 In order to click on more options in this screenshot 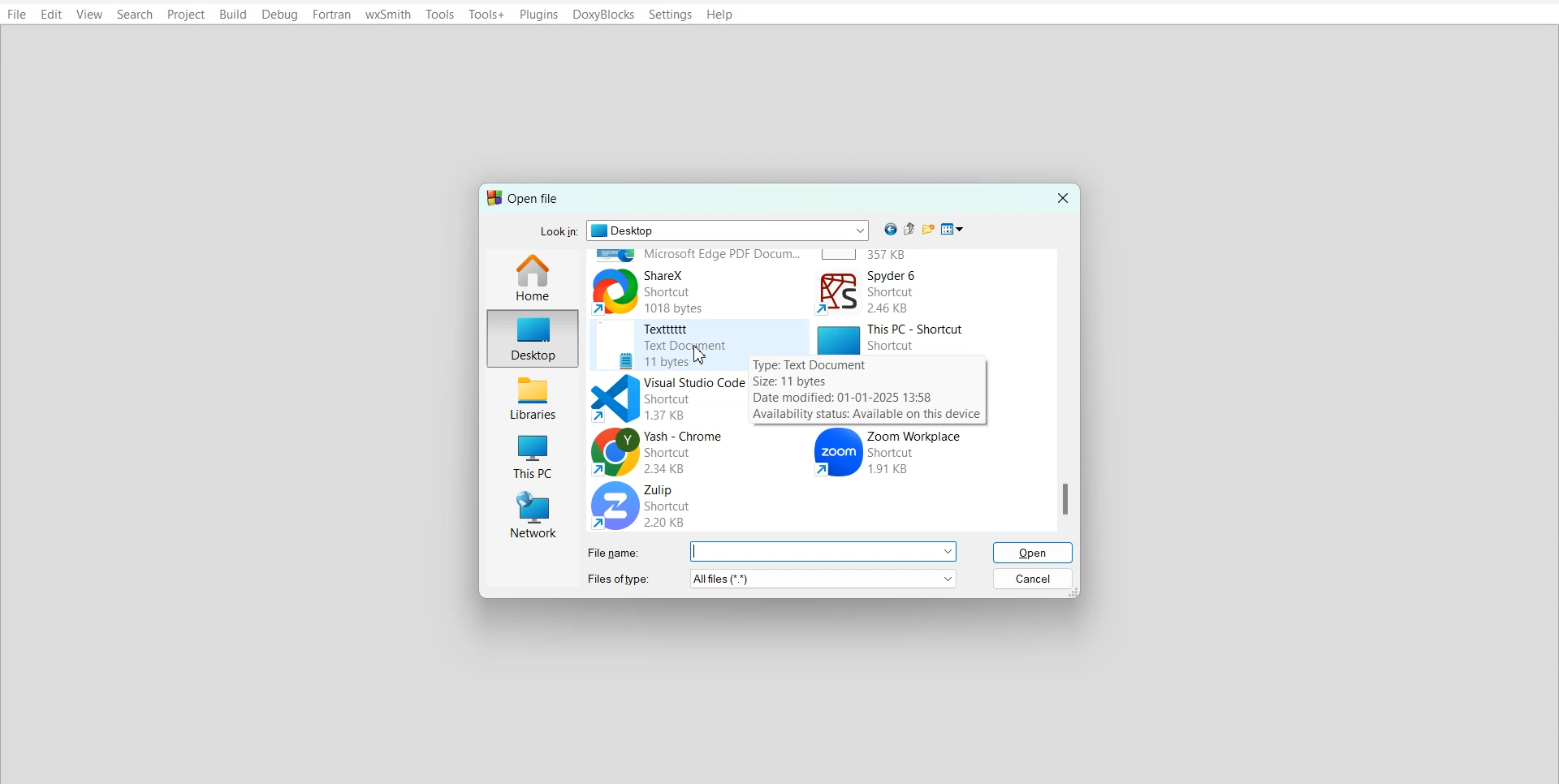, I will do `click(827, 553)`.